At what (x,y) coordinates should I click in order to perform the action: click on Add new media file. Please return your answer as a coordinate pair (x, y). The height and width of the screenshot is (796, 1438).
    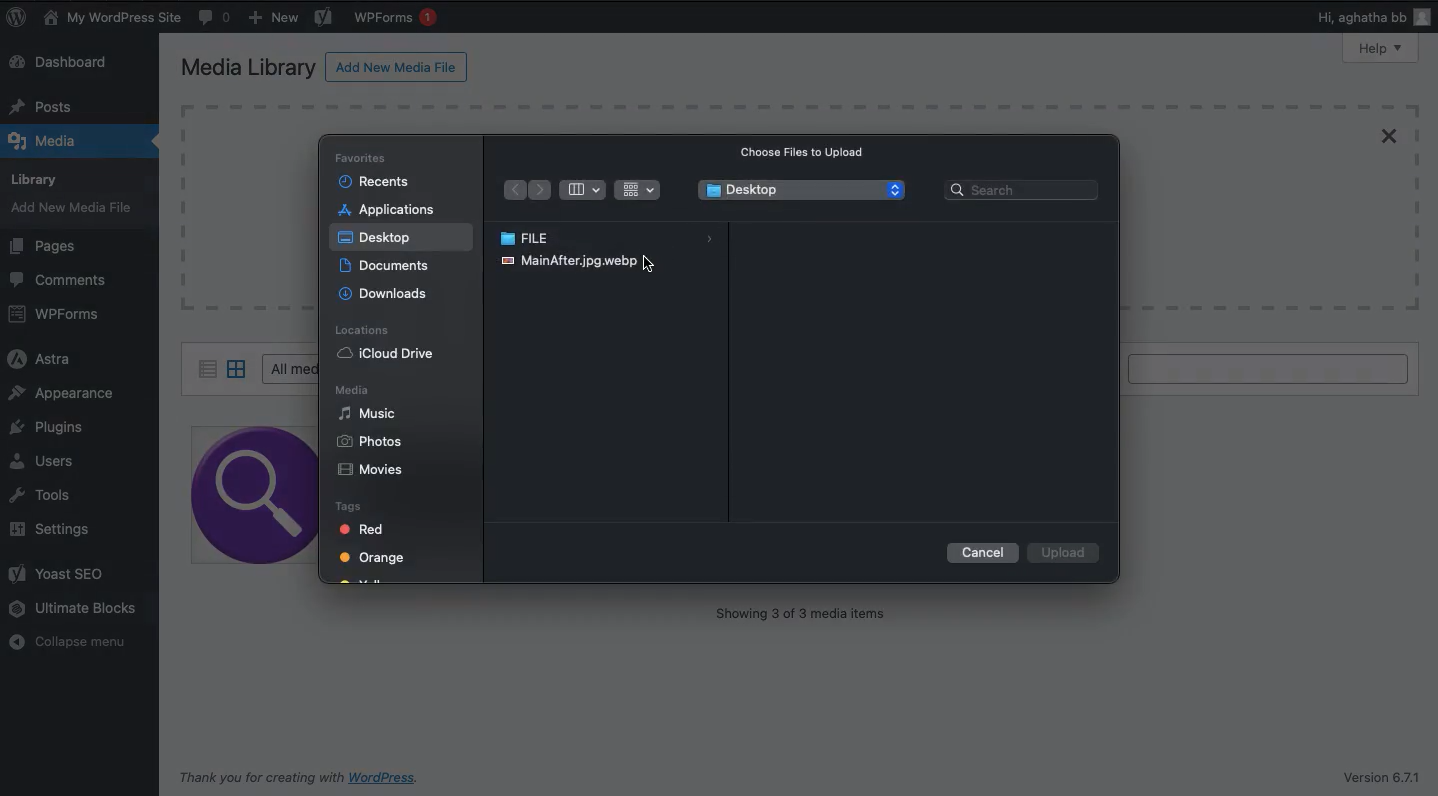
    Looking at the image, I should click on (398, 70).